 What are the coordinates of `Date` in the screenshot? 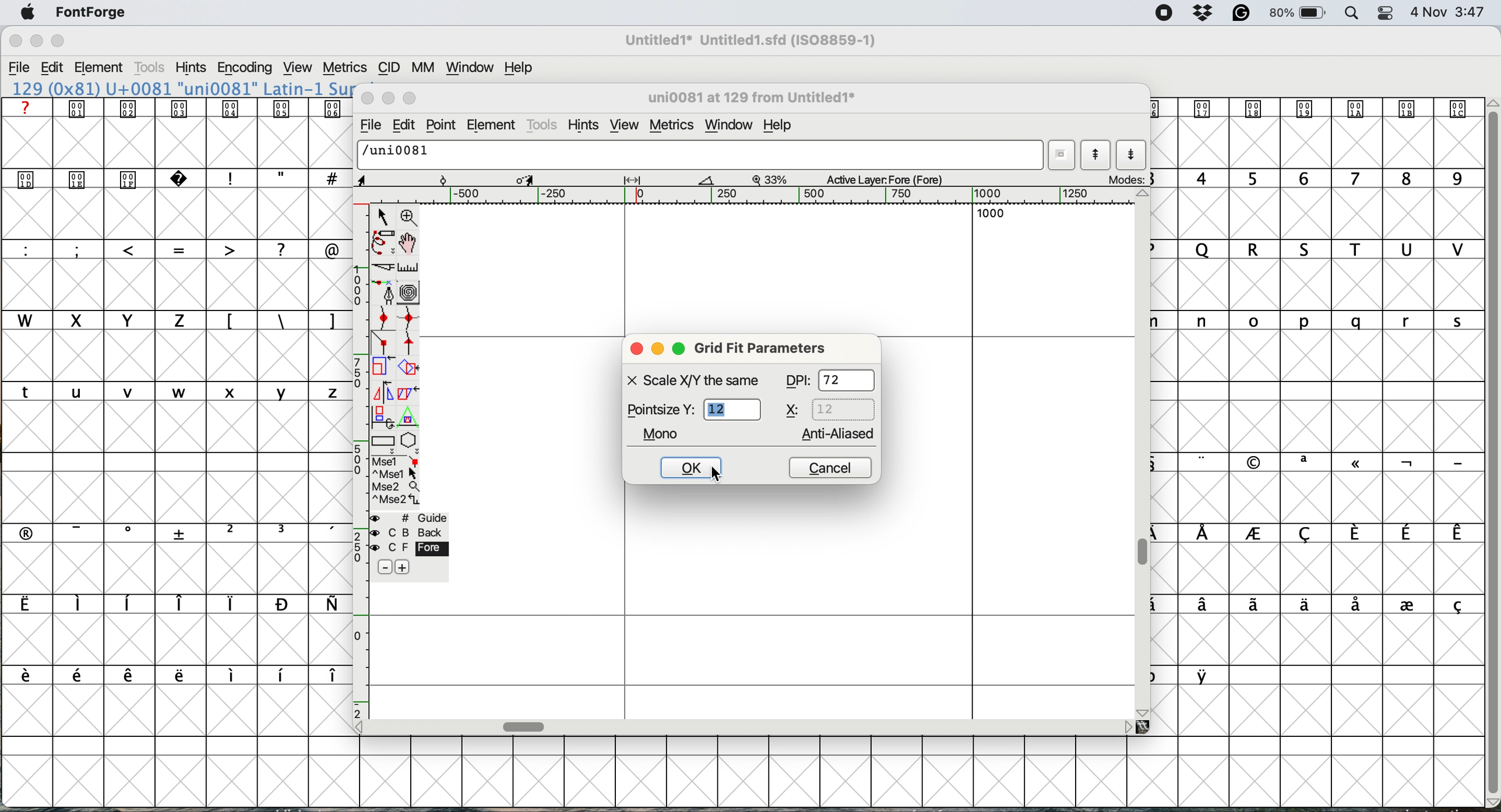 It's located at (1428, 12).